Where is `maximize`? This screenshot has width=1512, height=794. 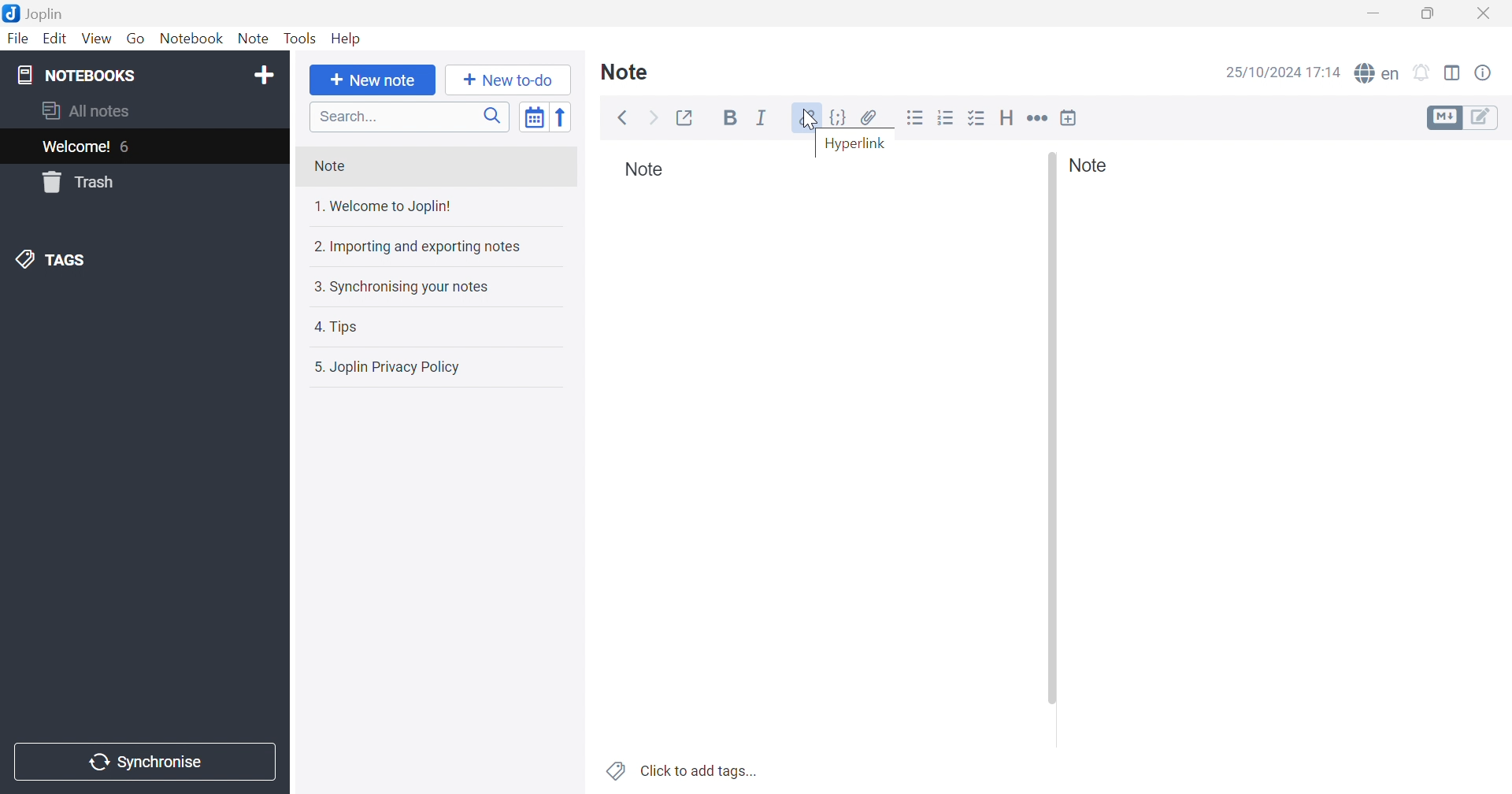
maximize is located at coordinates (1427, 13).